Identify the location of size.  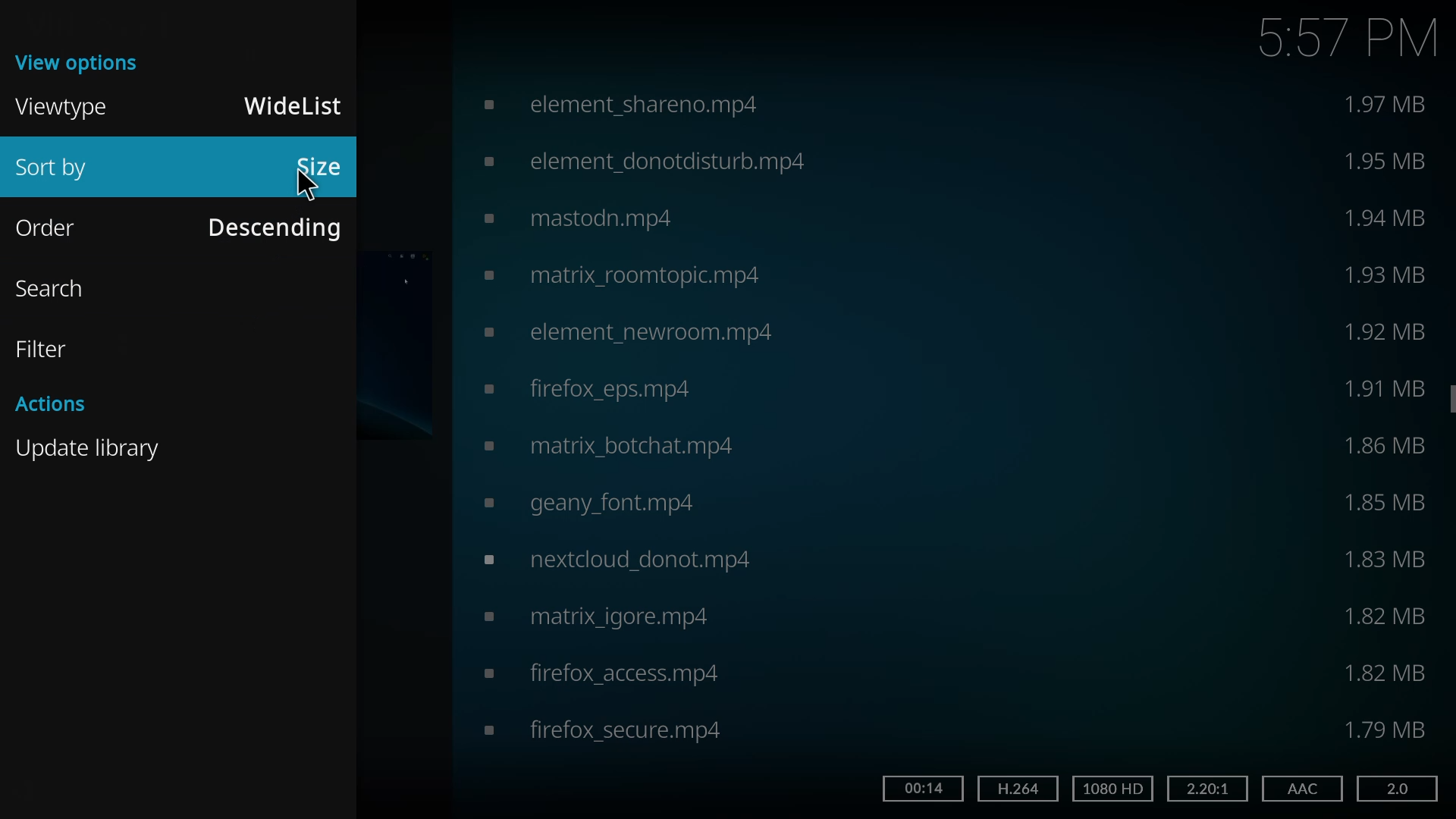
(1384, 329).